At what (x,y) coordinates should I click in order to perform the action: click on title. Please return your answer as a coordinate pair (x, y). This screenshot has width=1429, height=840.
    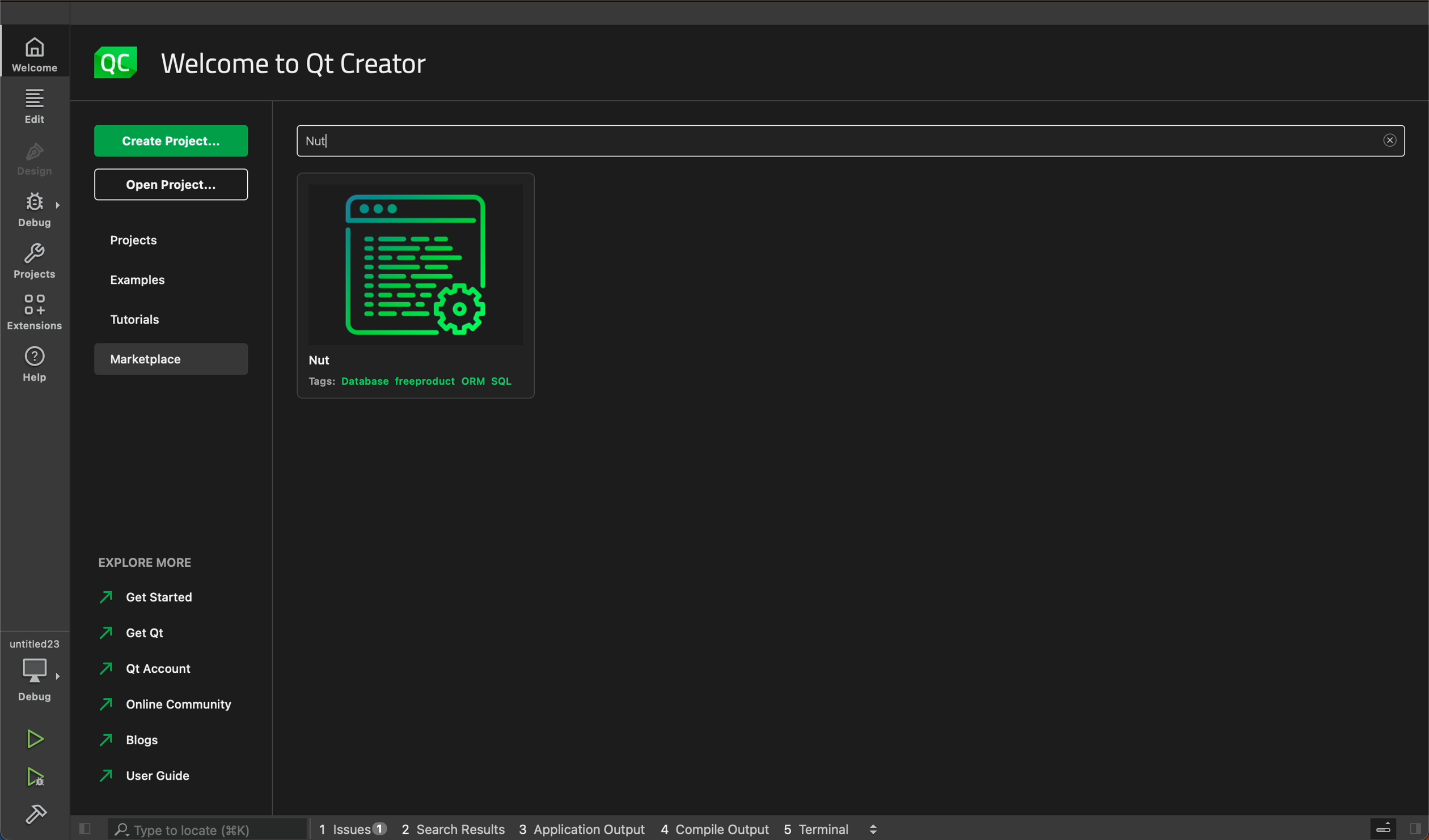
    Looking at the image, I should click on (336, 358).